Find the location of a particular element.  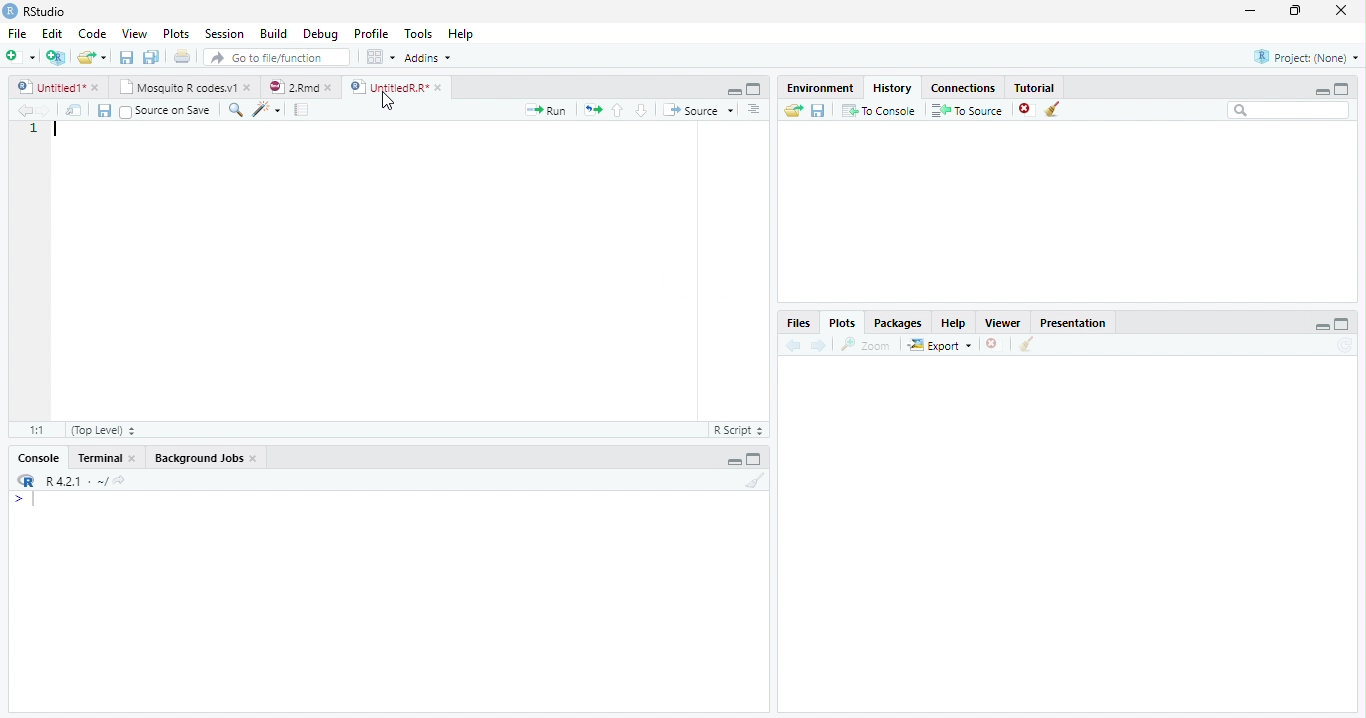

Clear all plots is located at coordinates (1025, 344).